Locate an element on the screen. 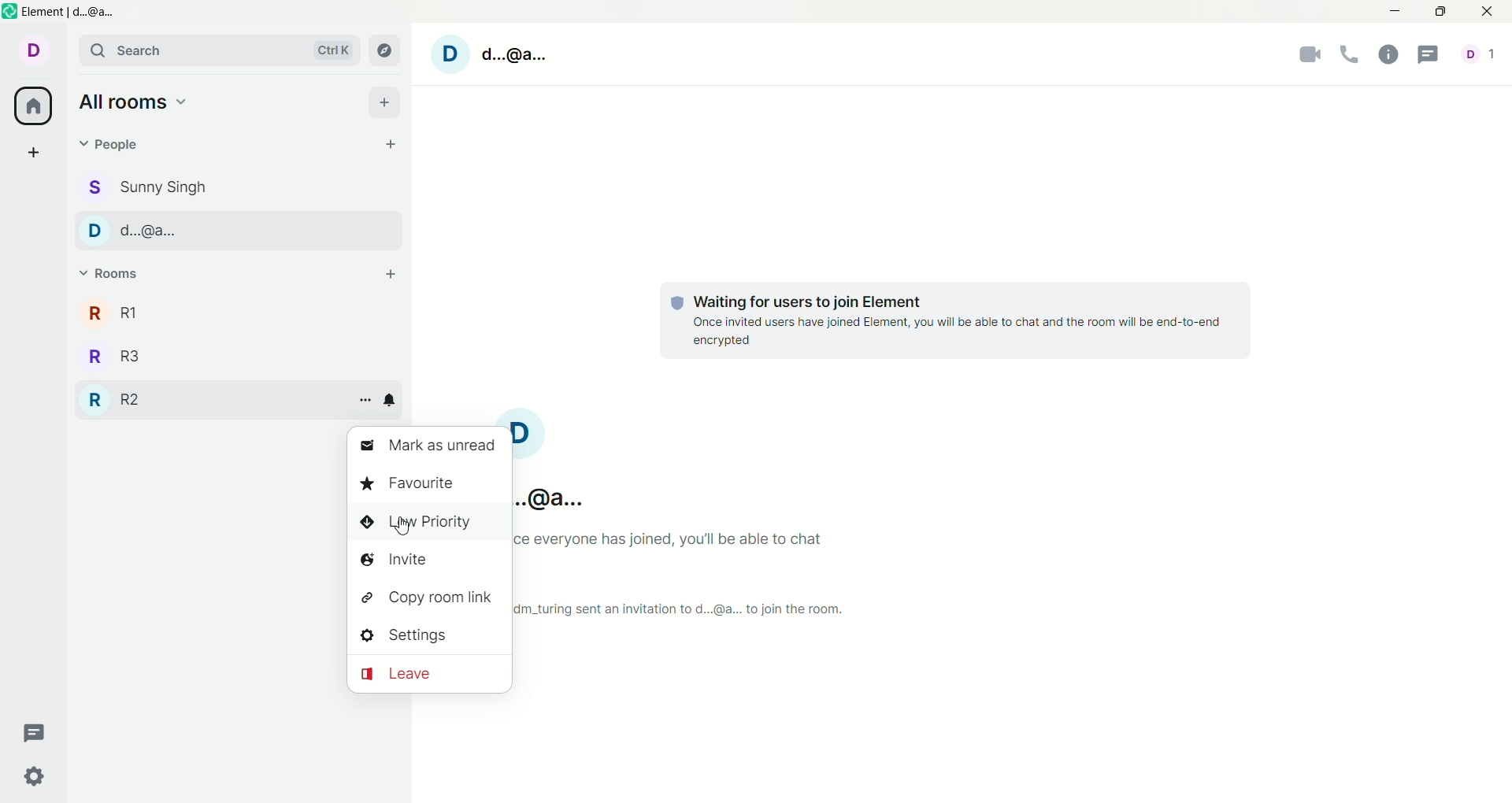 Image resolution: width=1512 pixels, height=803 pixels. leave is located at coordinates (428, 674).